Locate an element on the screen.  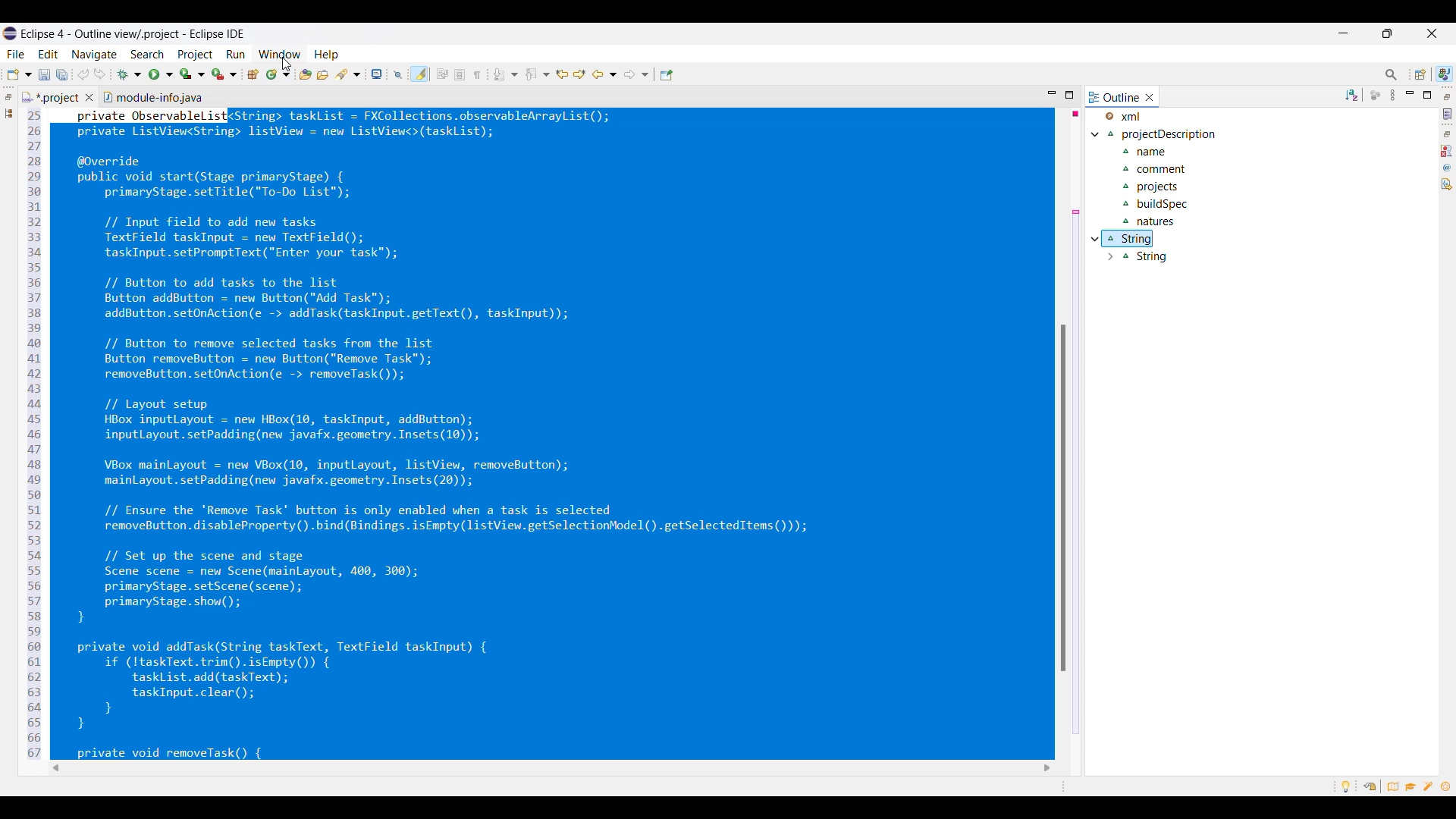
Close interface is located at coordinates (1432, 33).